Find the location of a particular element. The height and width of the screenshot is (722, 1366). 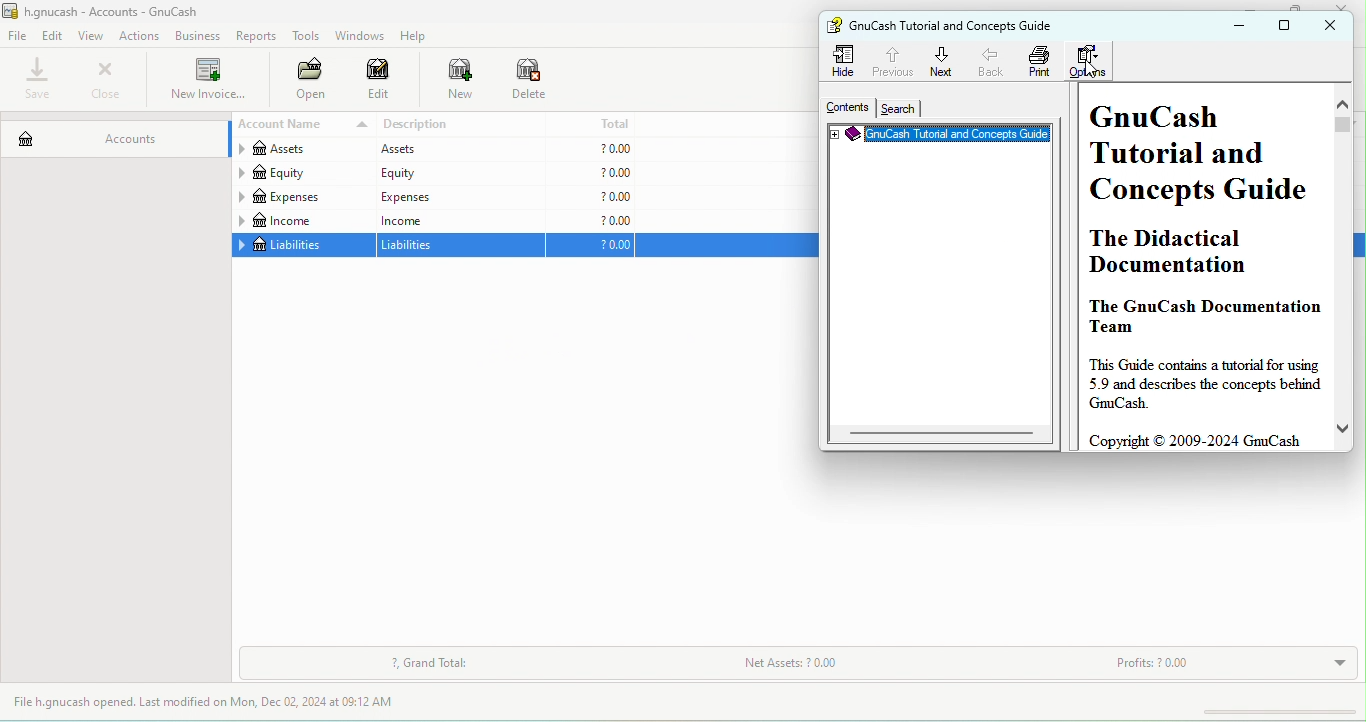

reports is located at coordinates (258, 36).